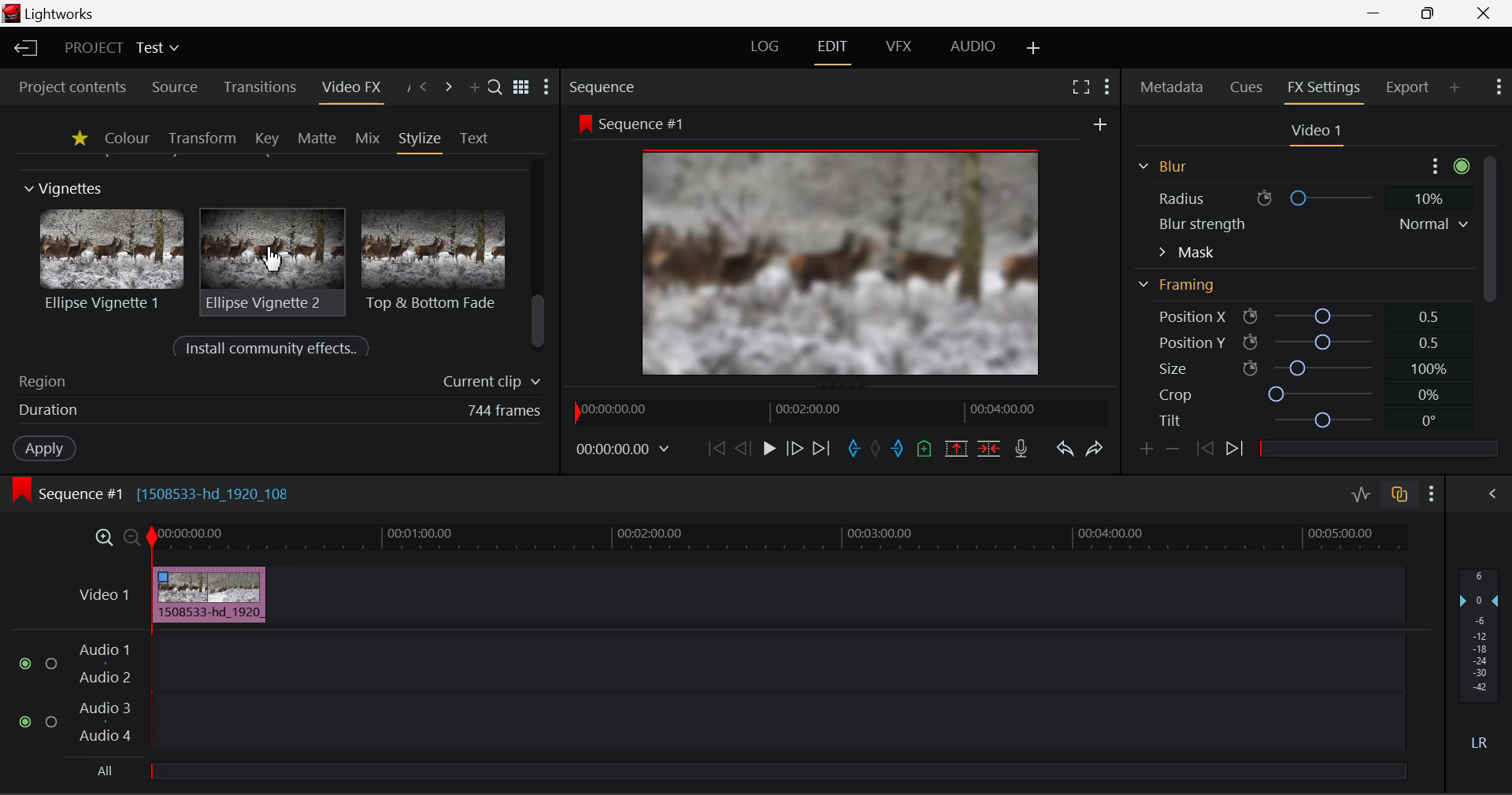 The width and height of the screenshot is (1512, 795). What do you see at coordinates (958, 447) in the screenshot?
I see `Remove Marked Section` at bounding box center [958, 447].